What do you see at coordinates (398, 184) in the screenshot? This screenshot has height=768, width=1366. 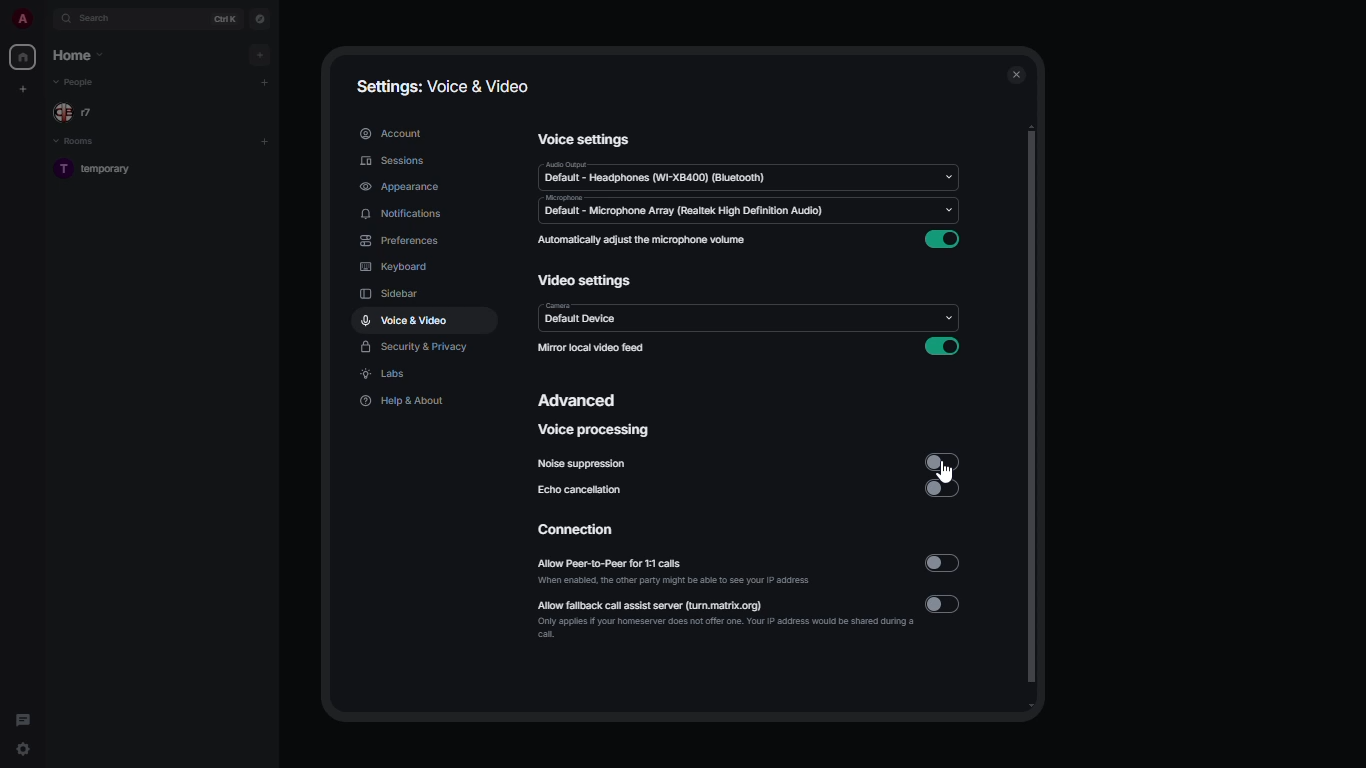 I see `appearance` at bounding box center [398, 184].